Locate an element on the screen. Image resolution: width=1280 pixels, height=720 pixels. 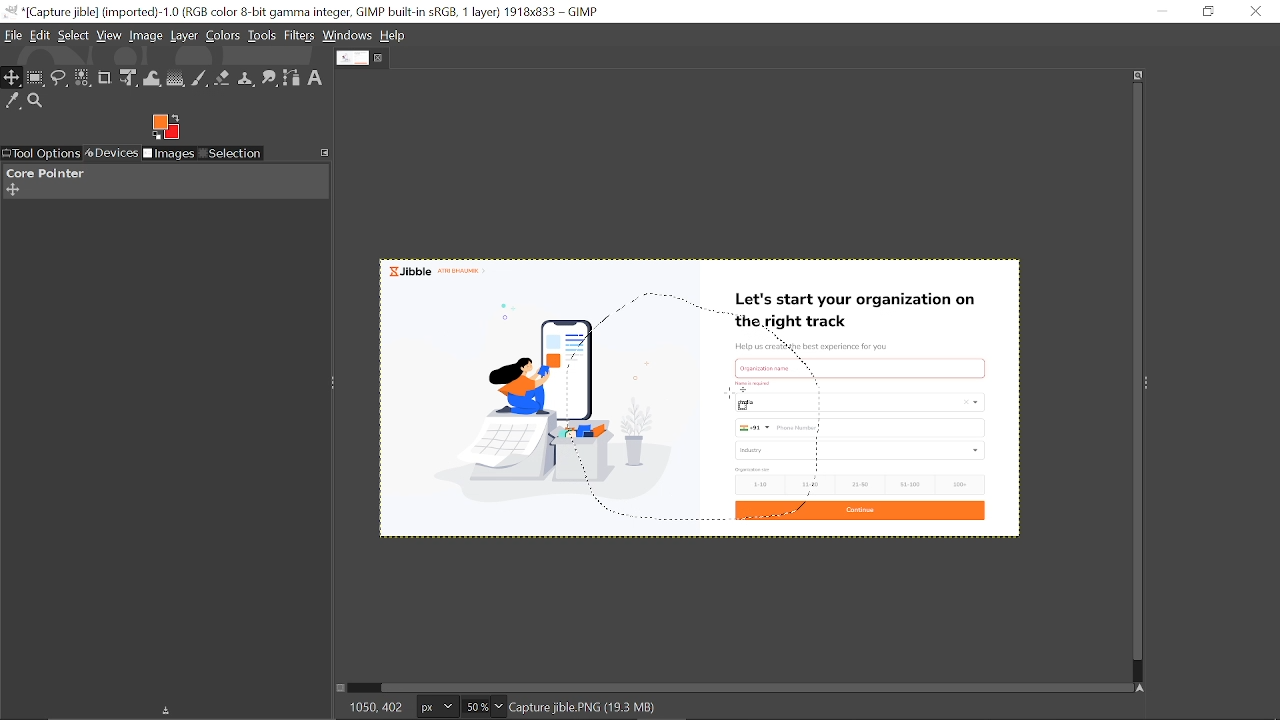
Save device status is located at coordinates (170, 712).